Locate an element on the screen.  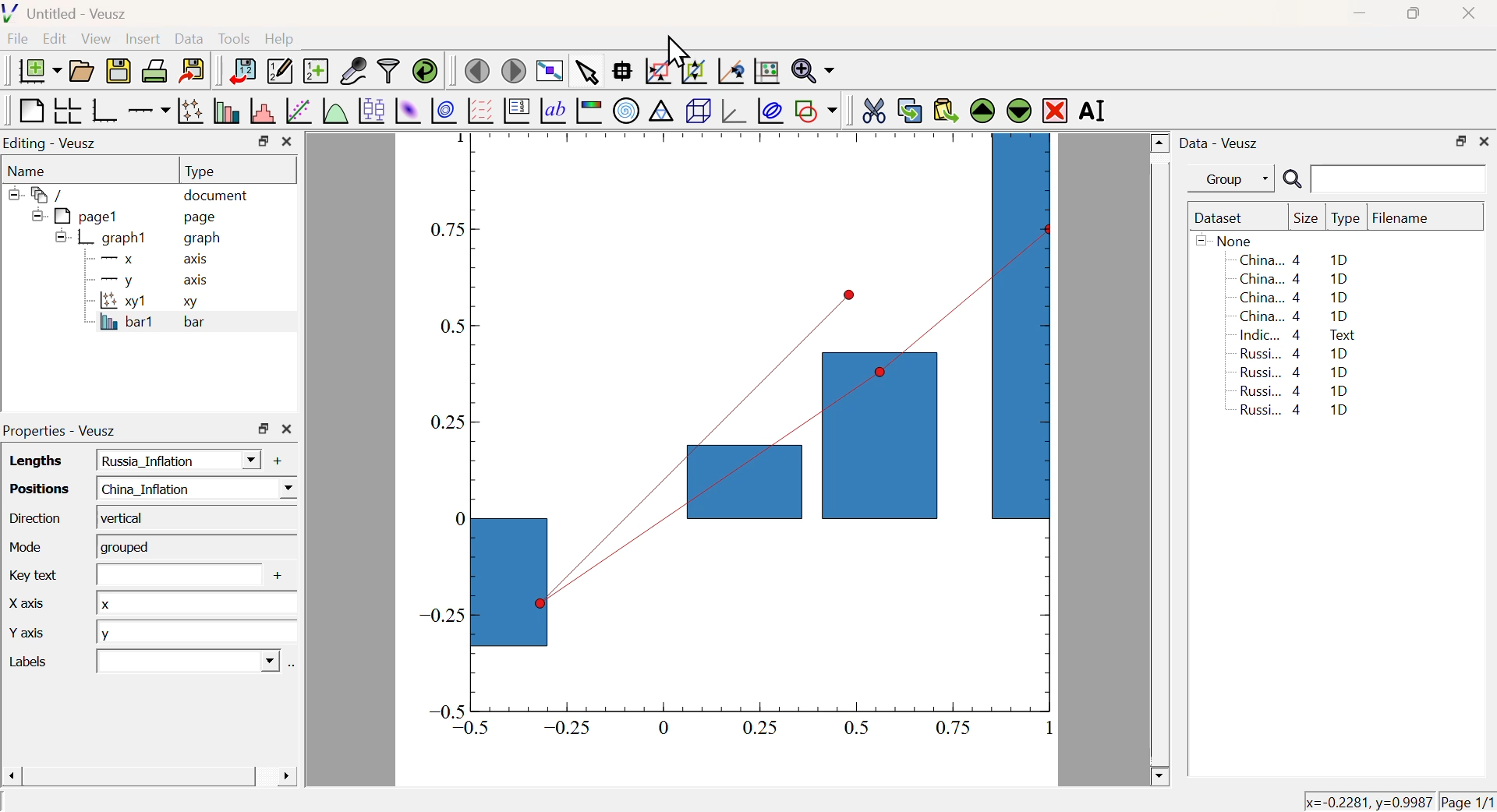
Y axis is located at coordinates (34, 634).